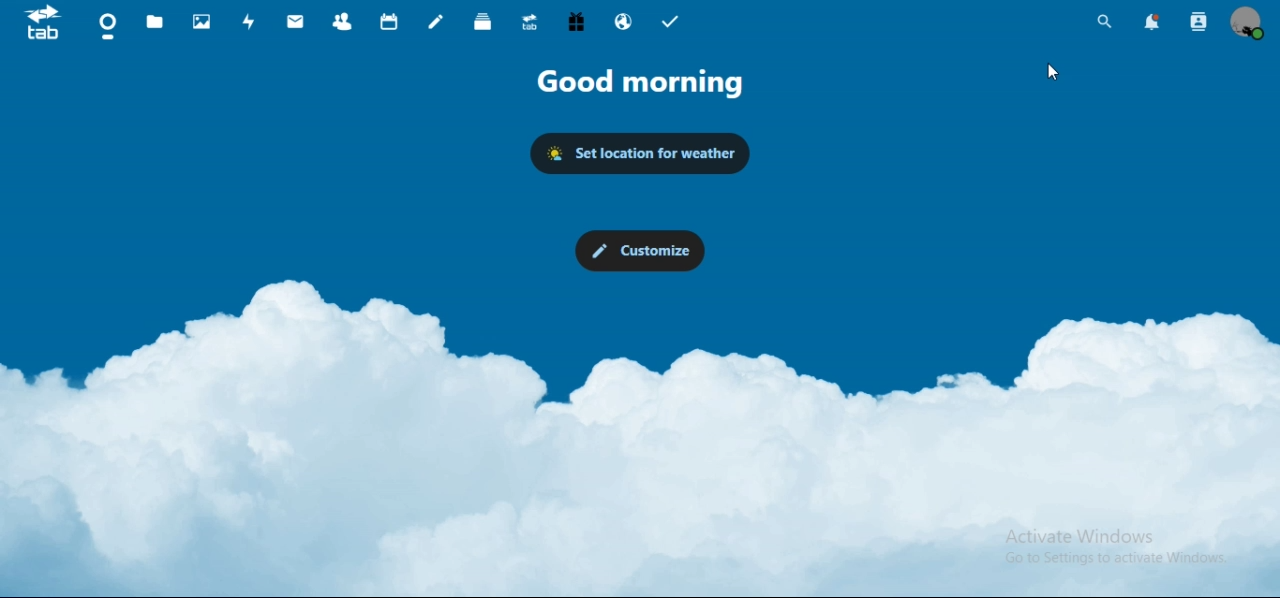 The height and width of the screenshot is (598, 1280). I want to click on activity, so click(249, 23).